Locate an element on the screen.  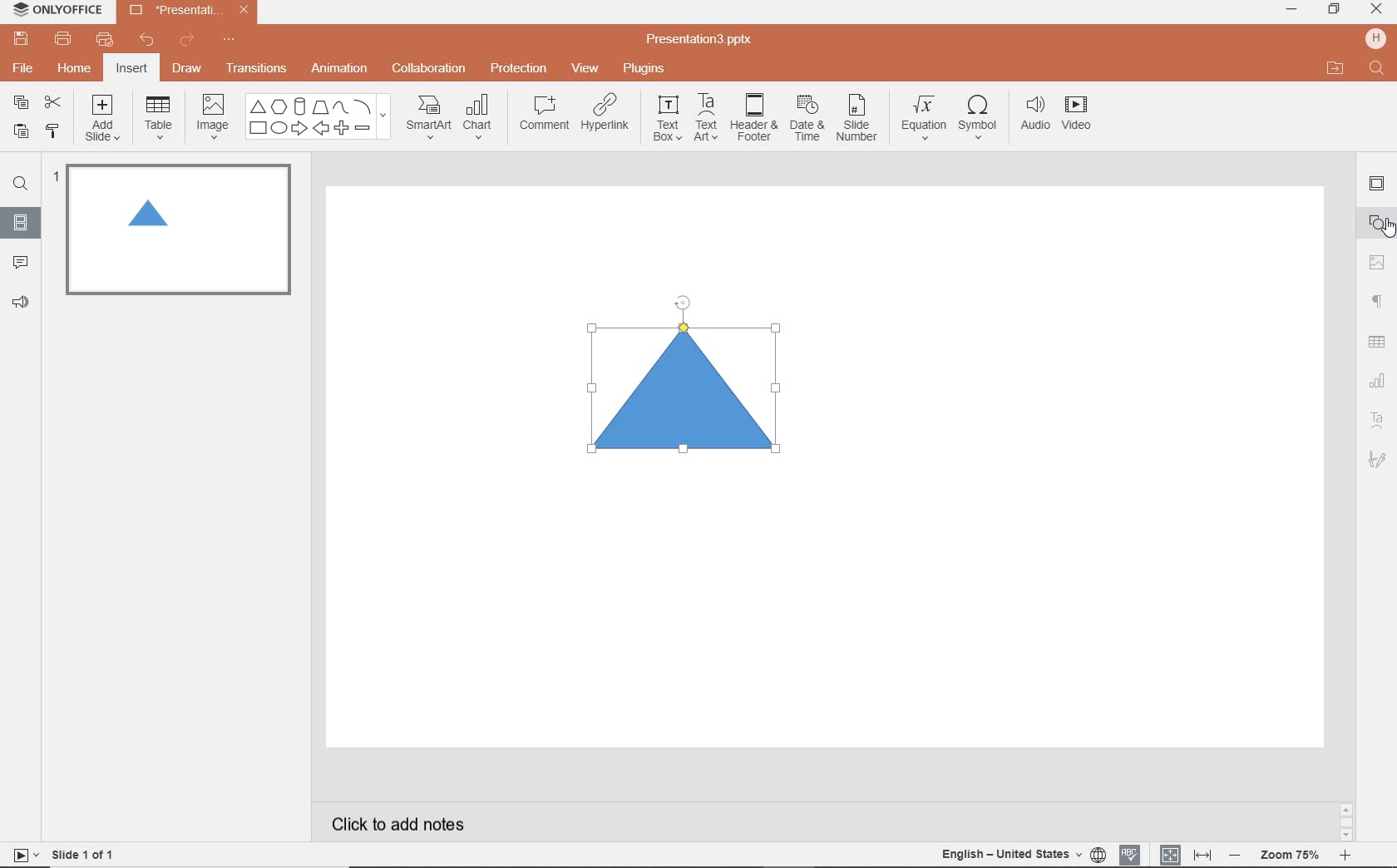
TEXT ART SETTINGS is located at coordinates (1378, 422).